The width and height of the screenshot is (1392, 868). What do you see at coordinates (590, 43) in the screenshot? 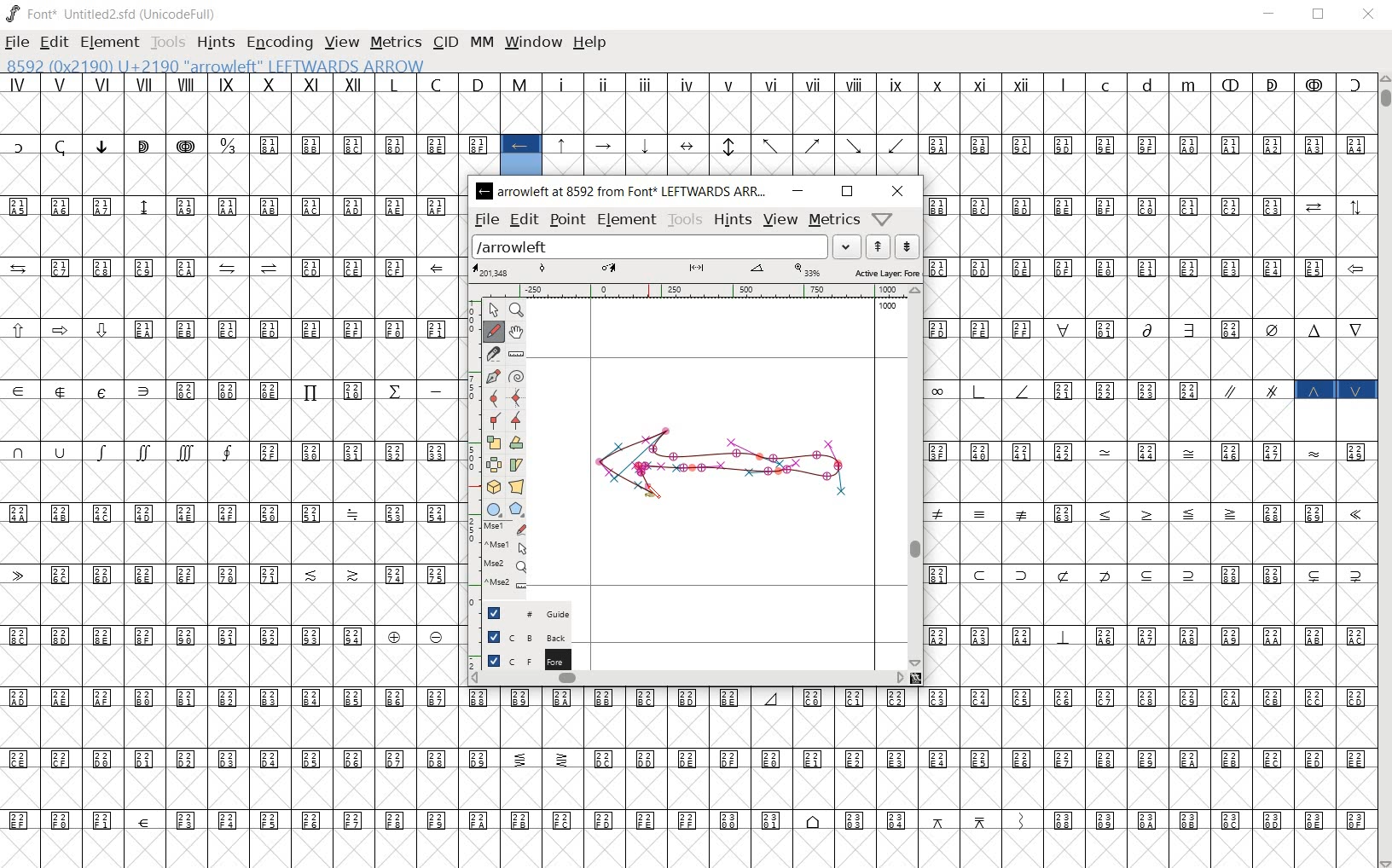
I see `help` at bounding box center [590, 43].